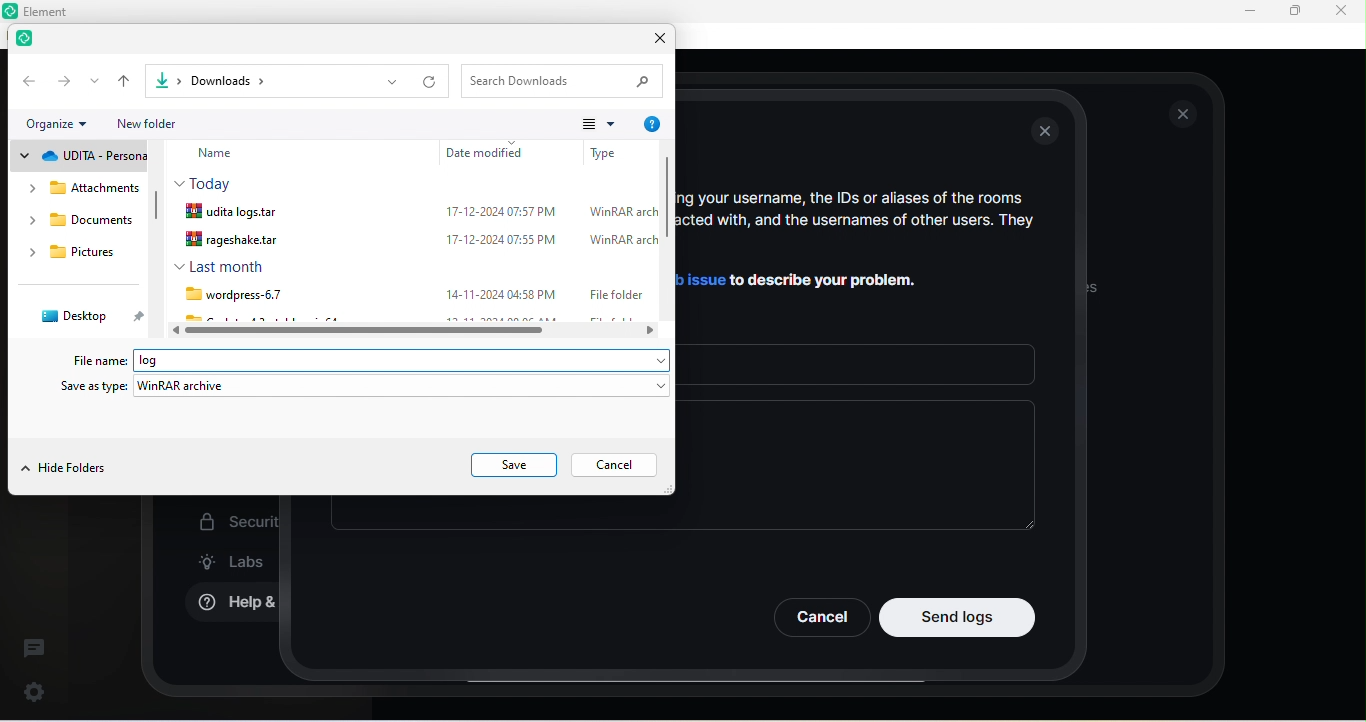 Image resolution: width=1366 pixels, height=722 pixels. What do you see at coordinates (35, 688) in the screenshot?
I see `quick setting` at bounding box center [35, 688].